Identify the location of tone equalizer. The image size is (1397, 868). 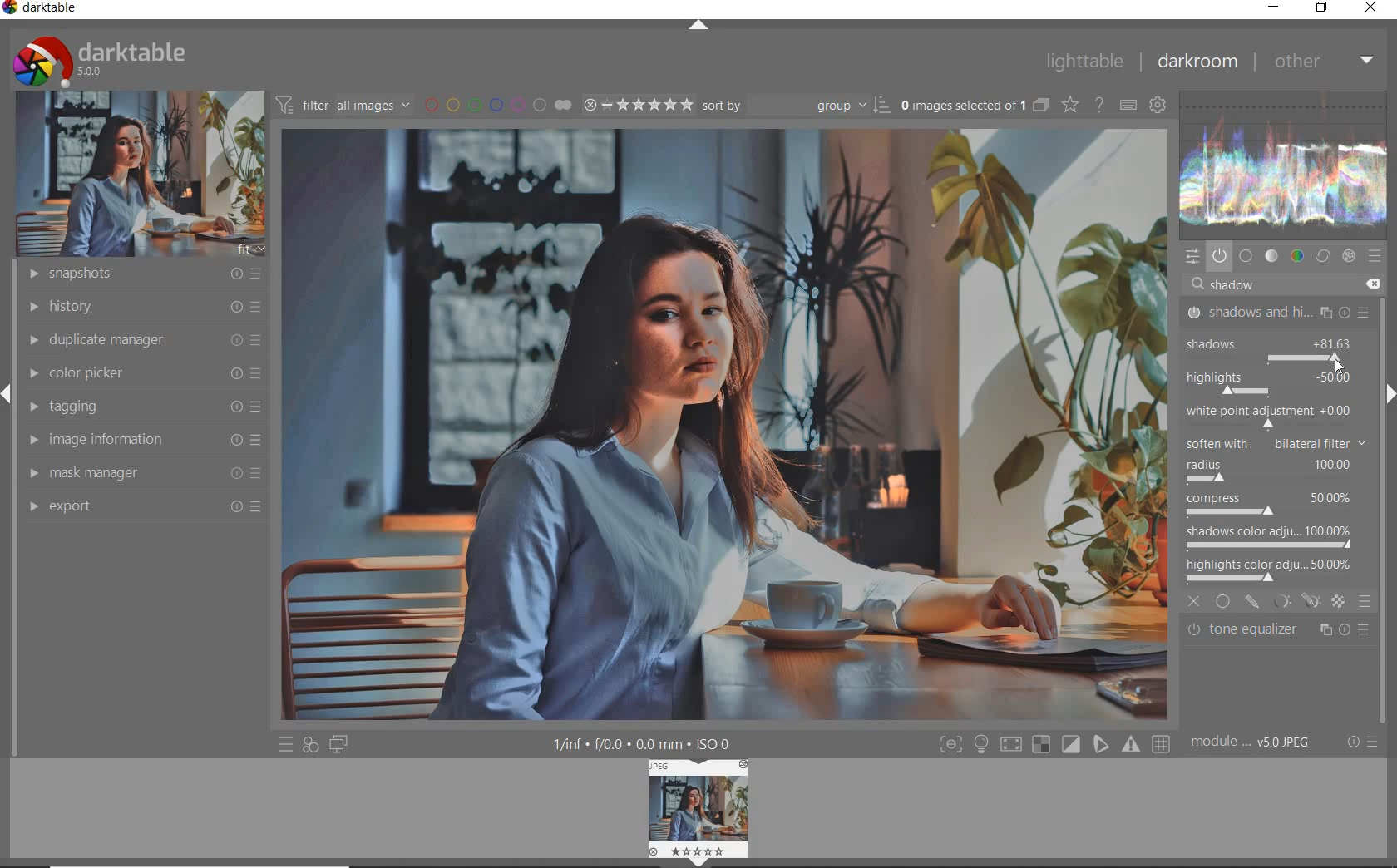
(1278, 633).